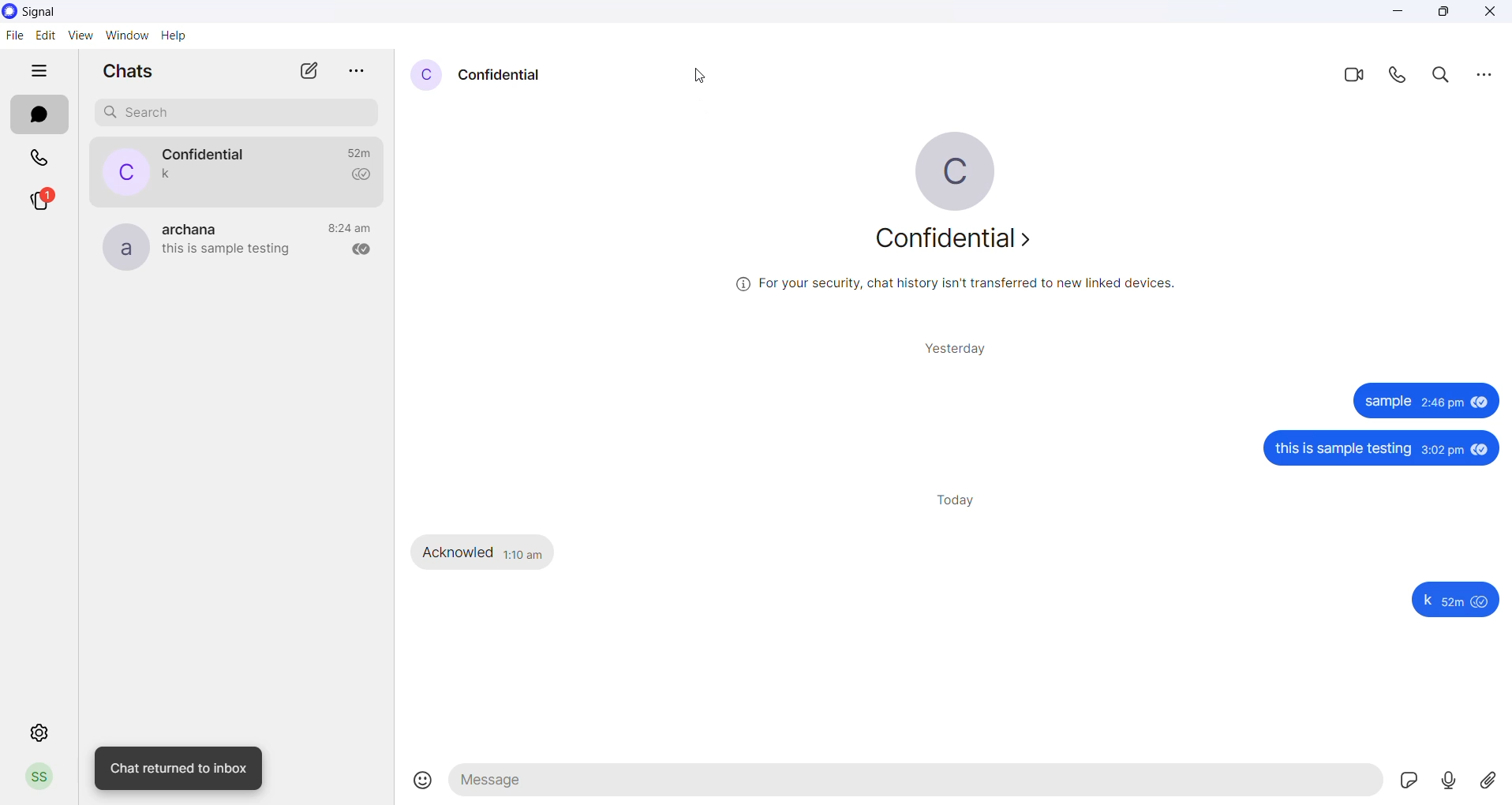 This screenshot has width=1512, height=805. What do you see at coordinates (1442, 402) in the screenshot?
I see `2:46 pm` at bounding box center [1442, 402].